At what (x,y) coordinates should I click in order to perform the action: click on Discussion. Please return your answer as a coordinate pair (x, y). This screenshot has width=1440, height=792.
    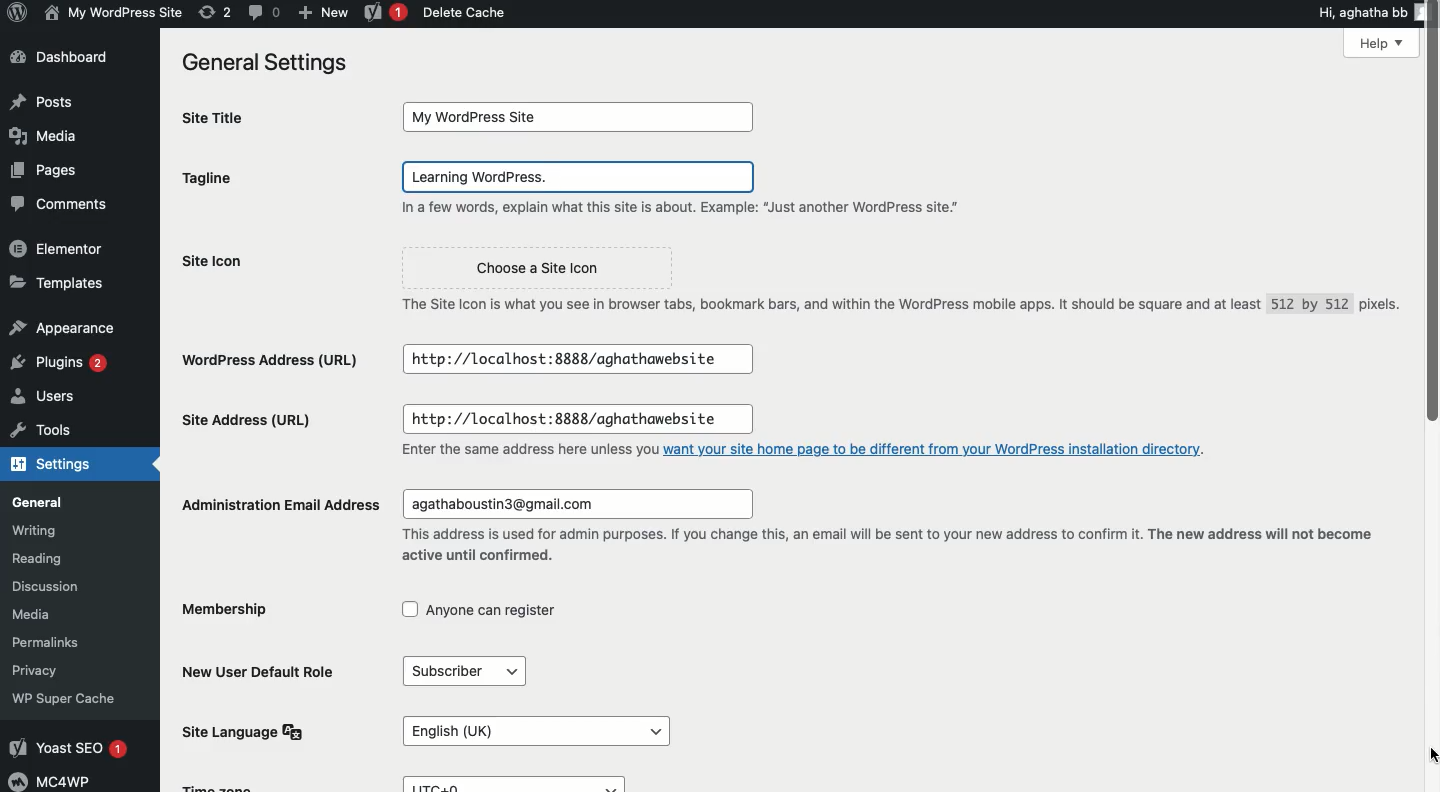
    Looking at the image, I should click on (57, 585).